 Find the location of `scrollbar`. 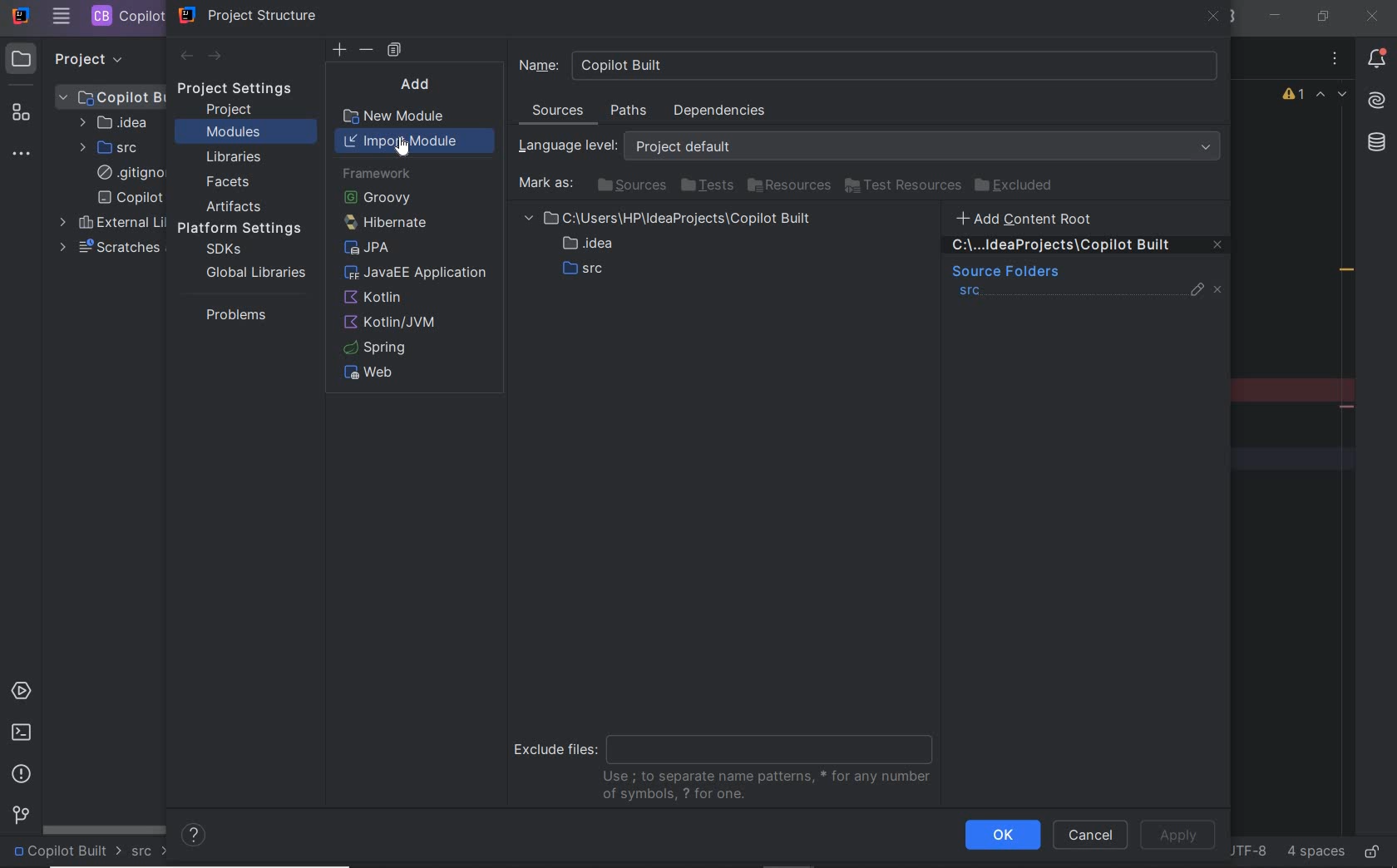

scrollbar is located at coordinates (105, 828).